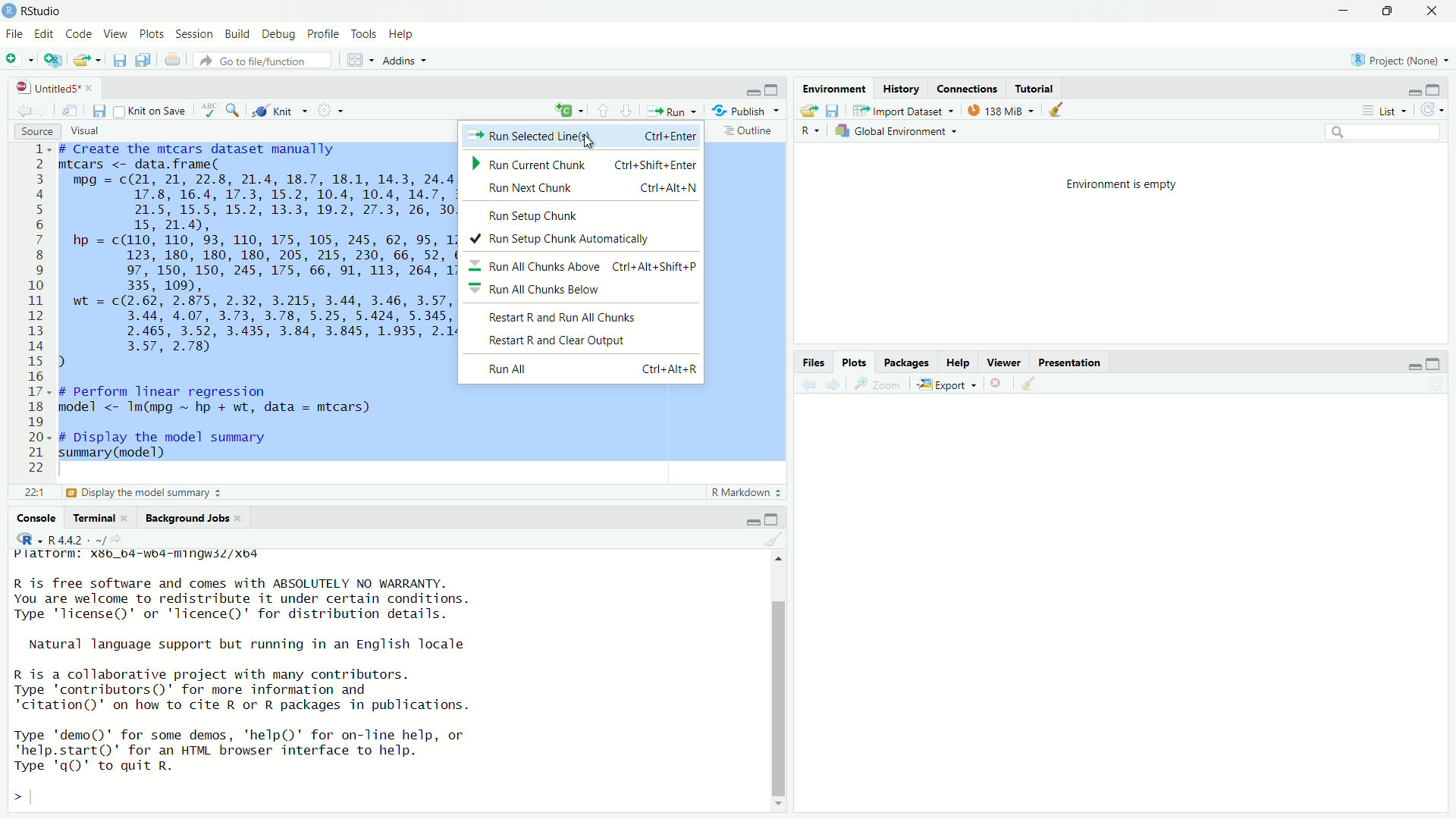 The height and width of the screenshot is (819, 1456). What do you see at coordinates (567, 110) in the screenshot?
I see `insert new code chunk` at bounding box center [567, 110].